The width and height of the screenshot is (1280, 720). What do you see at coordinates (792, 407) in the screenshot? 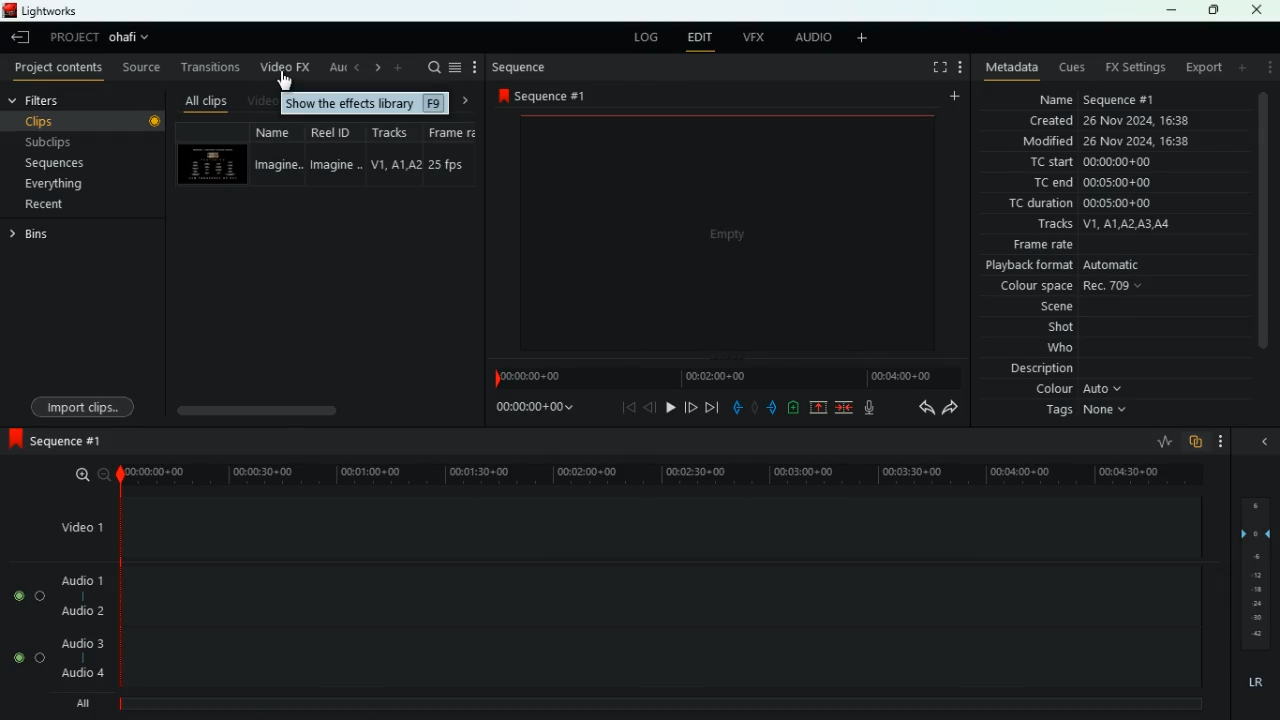
I see `add` at bounding box center [792, 407].